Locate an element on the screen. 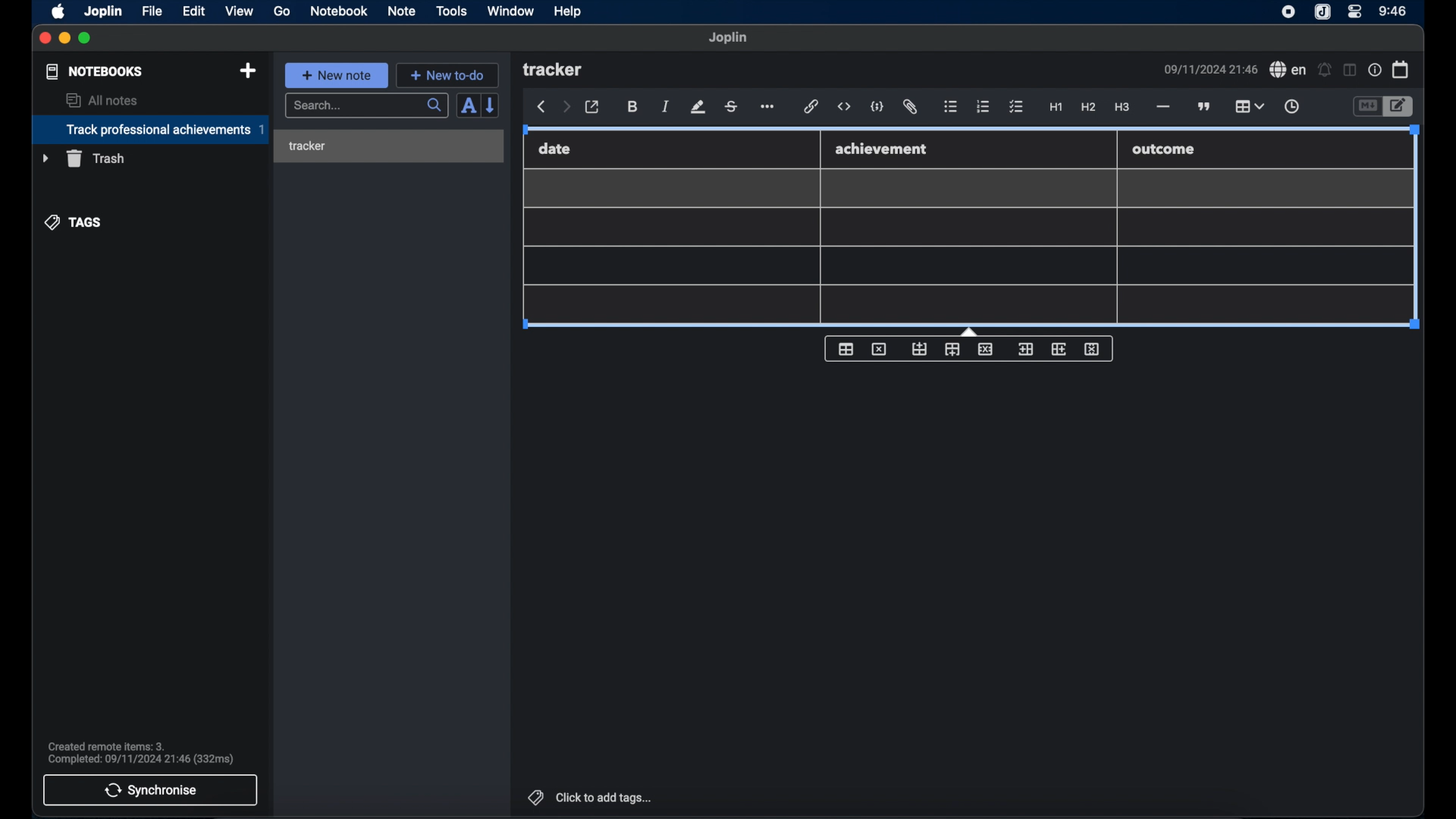  numbered list is located at coordinates (984, 106).